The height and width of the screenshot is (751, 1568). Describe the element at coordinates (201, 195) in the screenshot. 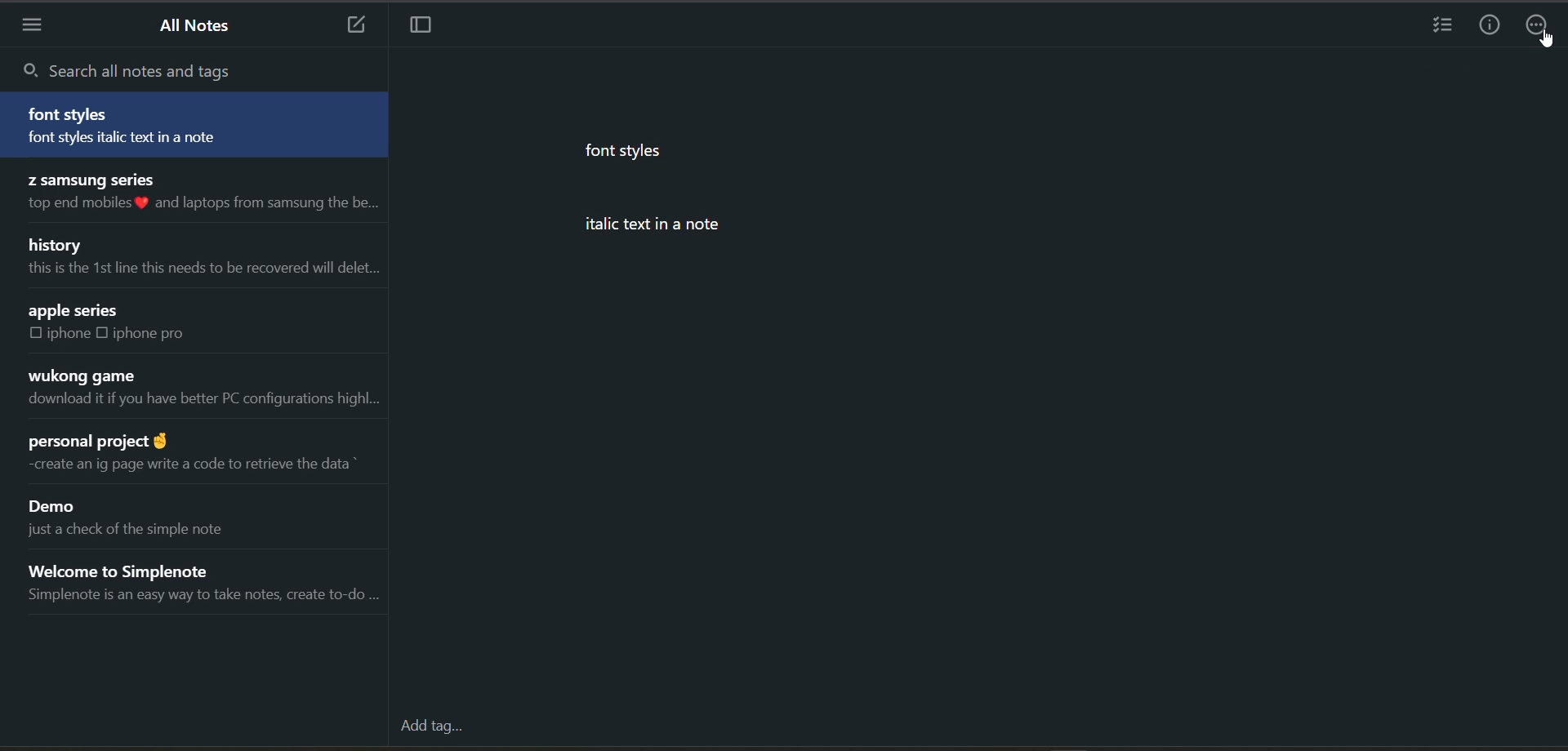

I see `note title and preview` at that location.